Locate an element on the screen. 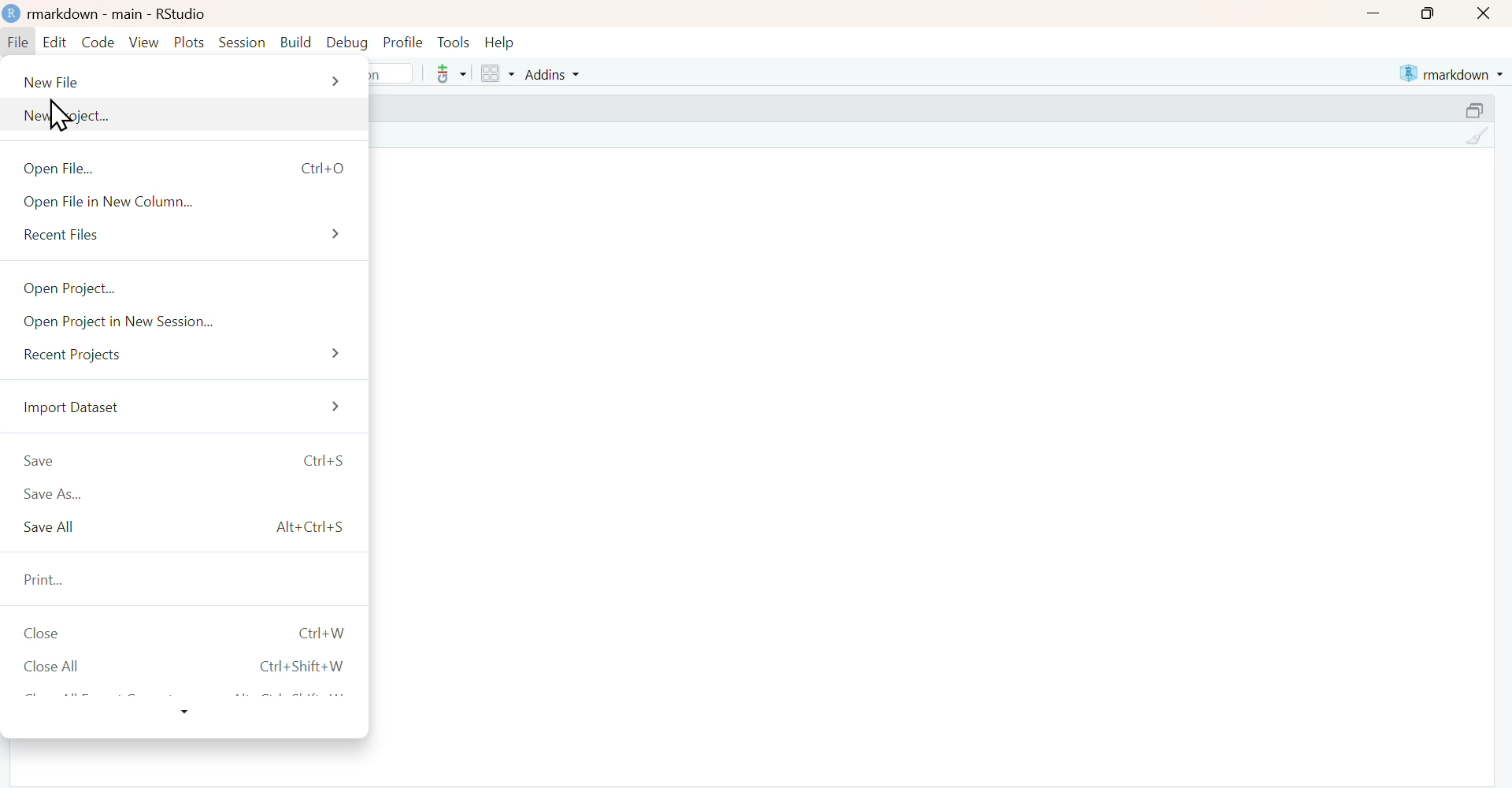 The height and width of the screenshot is (788, 1512). Logo is located at coordinates (13, 14).